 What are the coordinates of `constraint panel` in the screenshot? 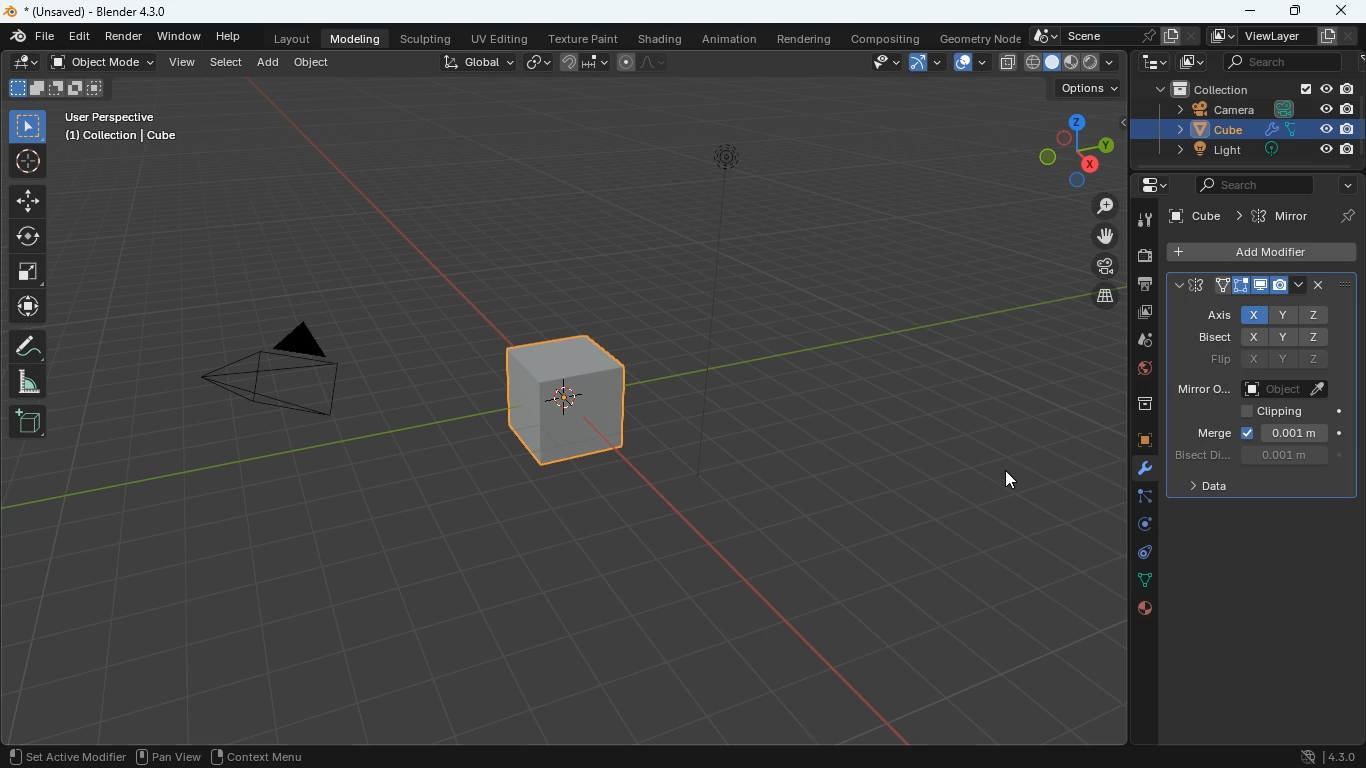 It's located at (1237, 284).